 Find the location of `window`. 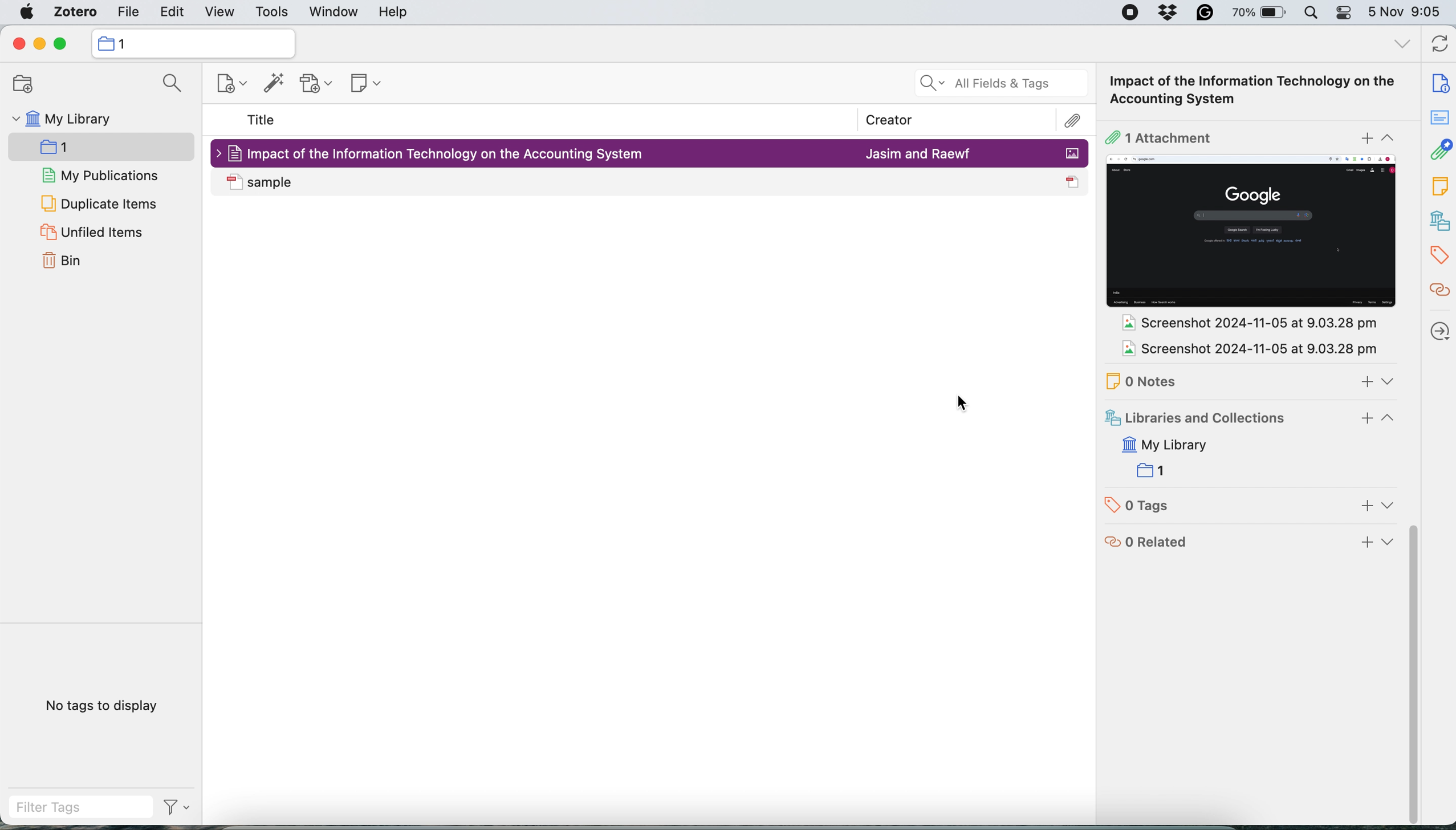

window is located at coordinates (332, 13).